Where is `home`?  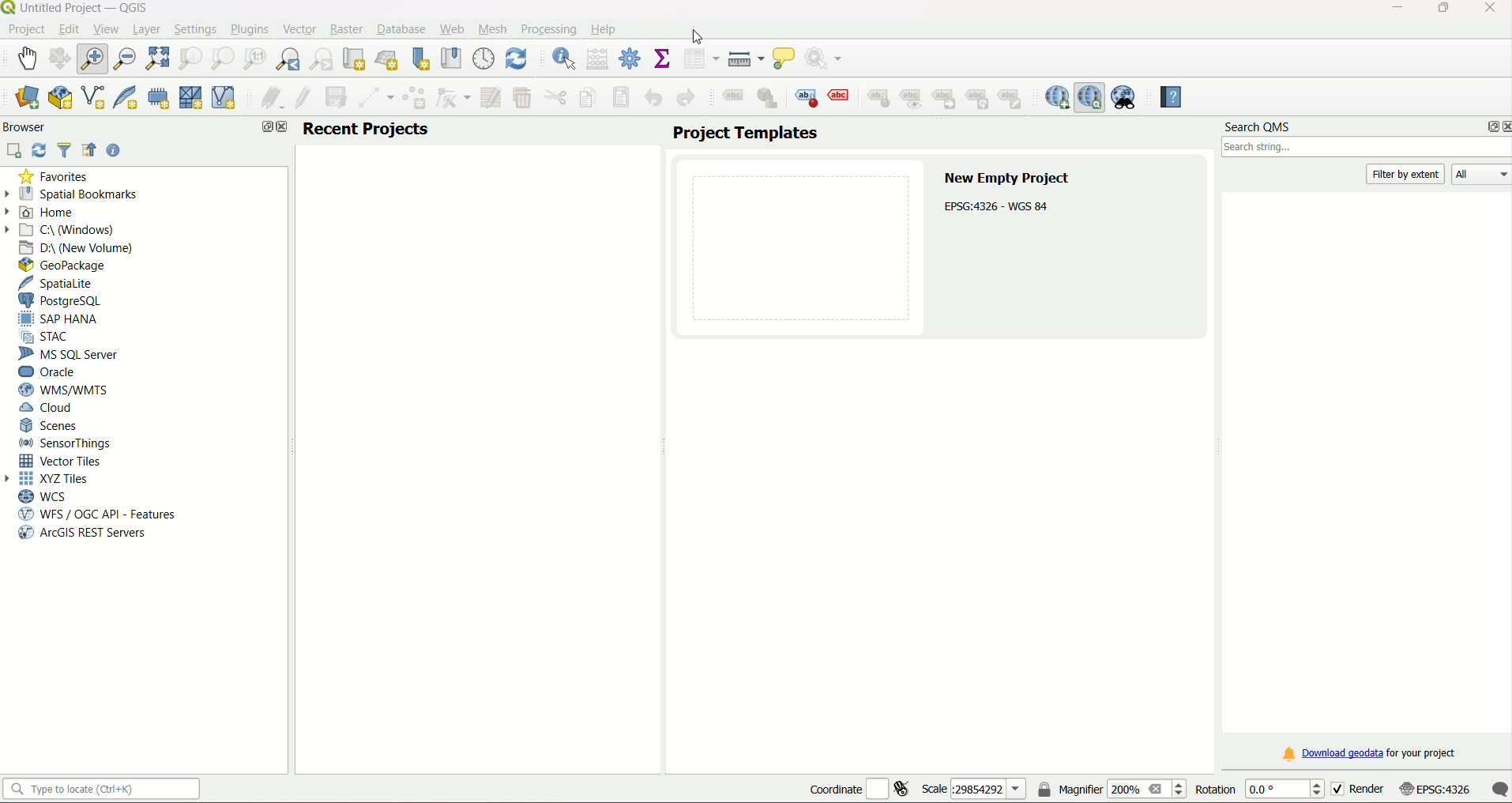 home is located at coordinates (55, 213).